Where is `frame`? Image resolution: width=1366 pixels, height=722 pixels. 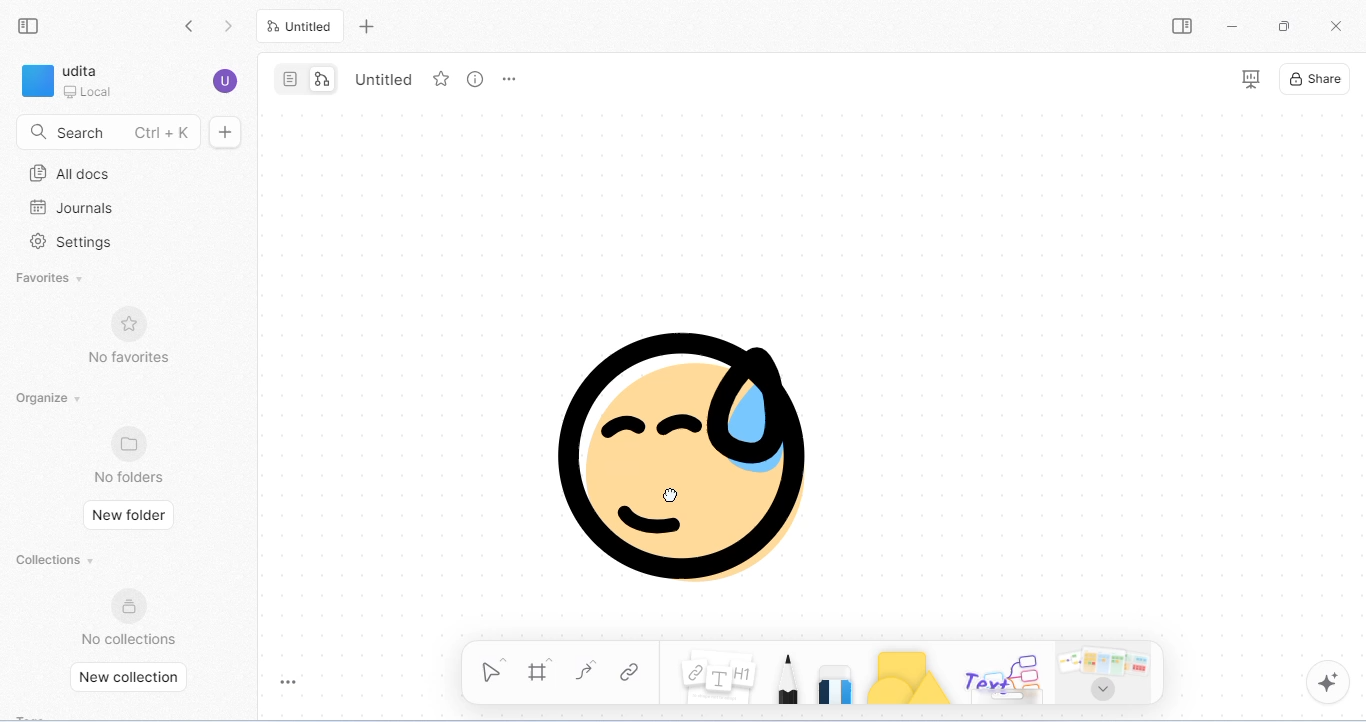
frame is located at coordinates (540, 670).